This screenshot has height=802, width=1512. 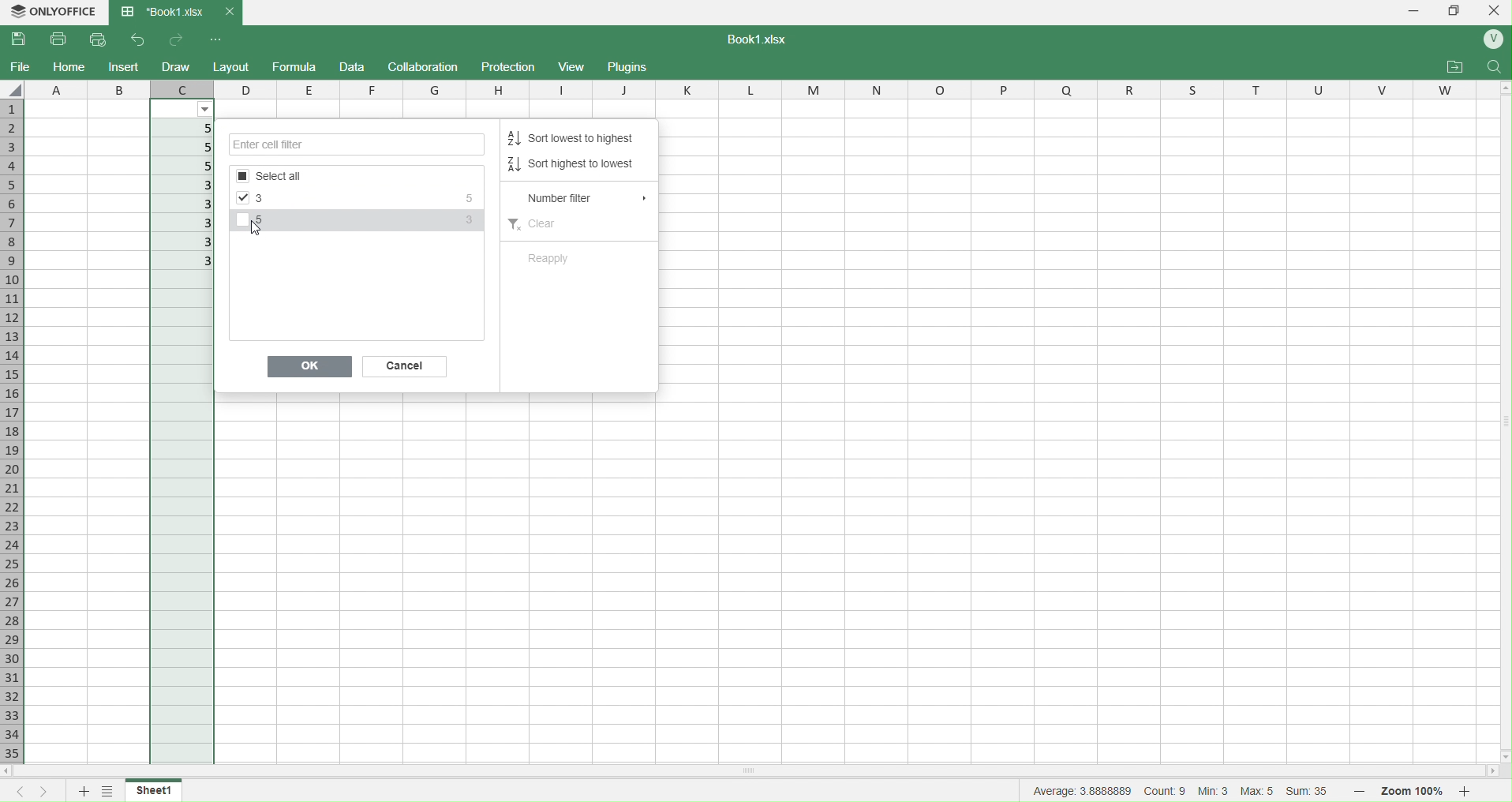 I want to click on 5, so click(x=187, y=167).